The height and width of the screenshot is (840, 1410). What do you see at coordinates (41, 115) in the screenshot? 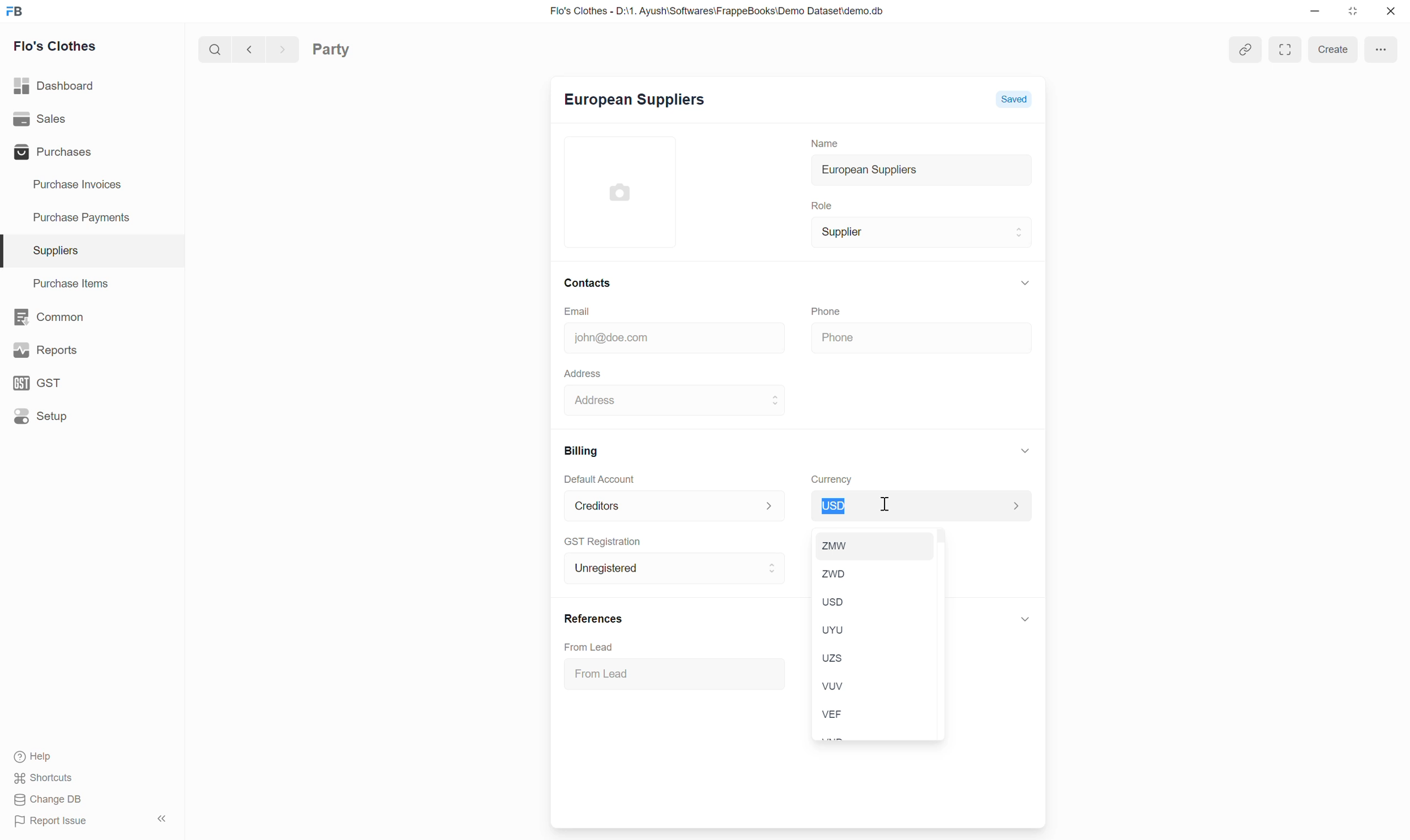
I see `Sales` at bounding box center [41, 115].